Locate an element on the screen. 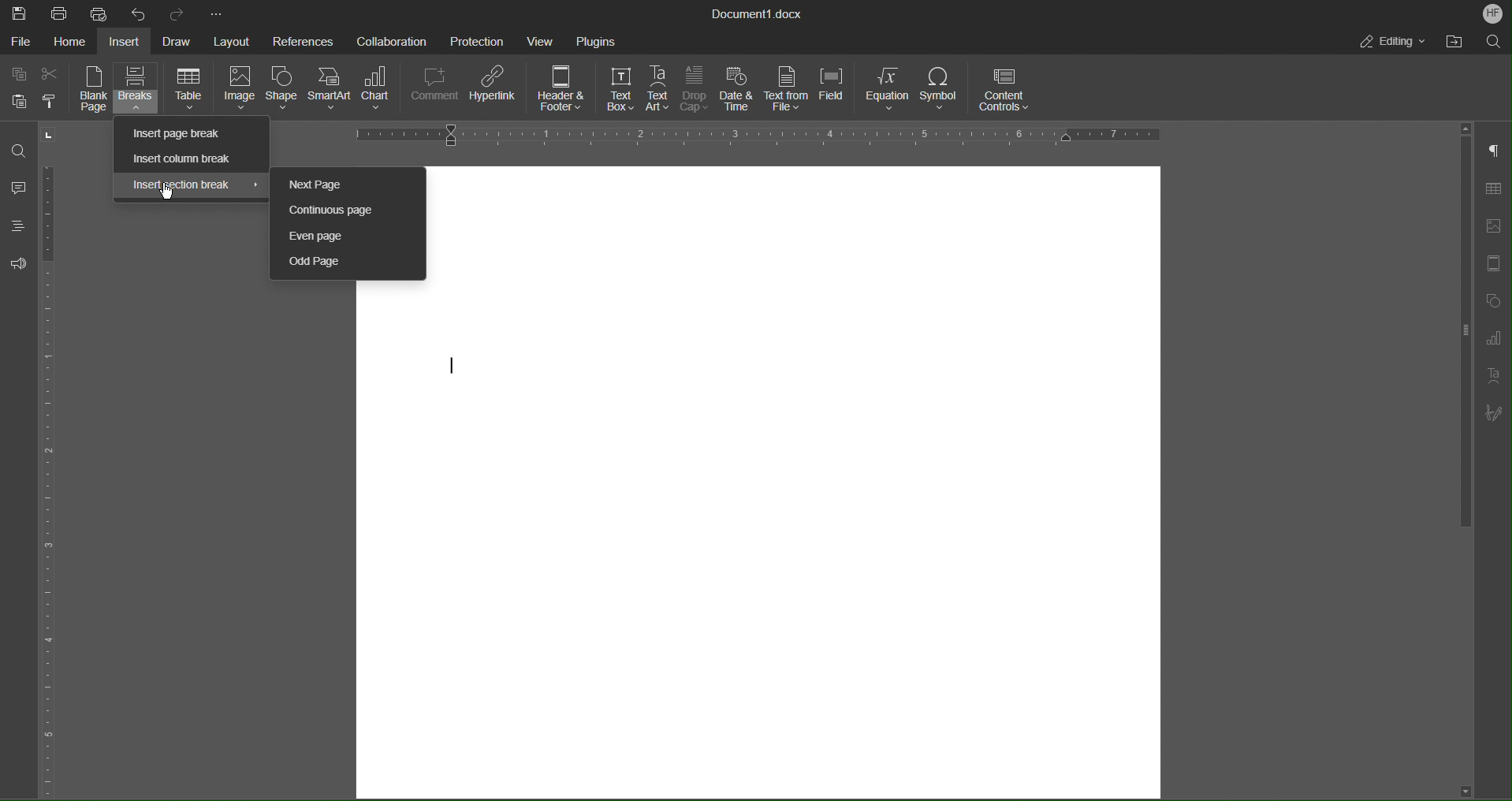 The width and height of the screenshot is (1512, 801). Table is located at coordinates (1492, 190).